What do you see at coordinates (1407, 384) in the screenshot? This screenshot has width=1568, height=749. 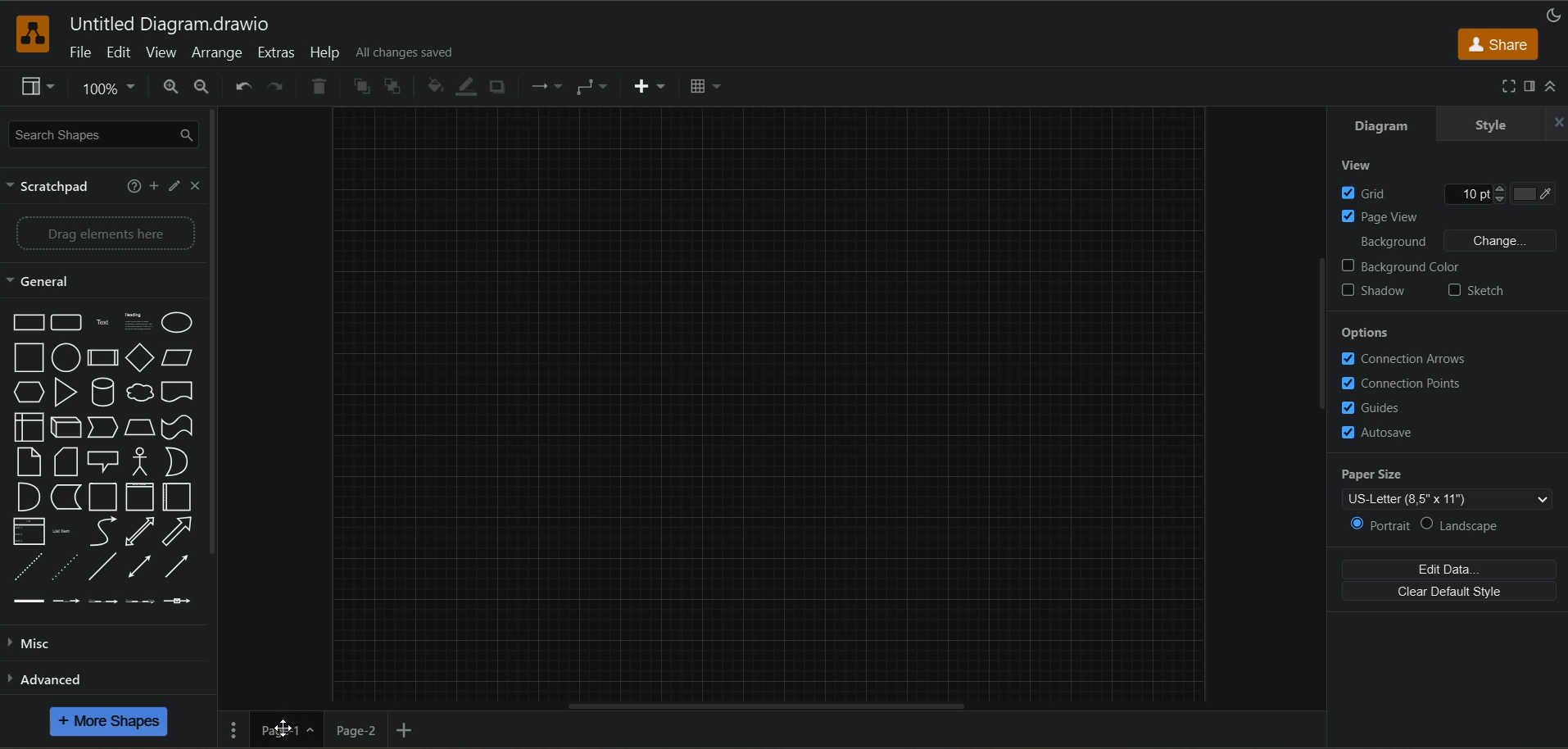 I see `connection paths` at bounding box center [1407, 384].